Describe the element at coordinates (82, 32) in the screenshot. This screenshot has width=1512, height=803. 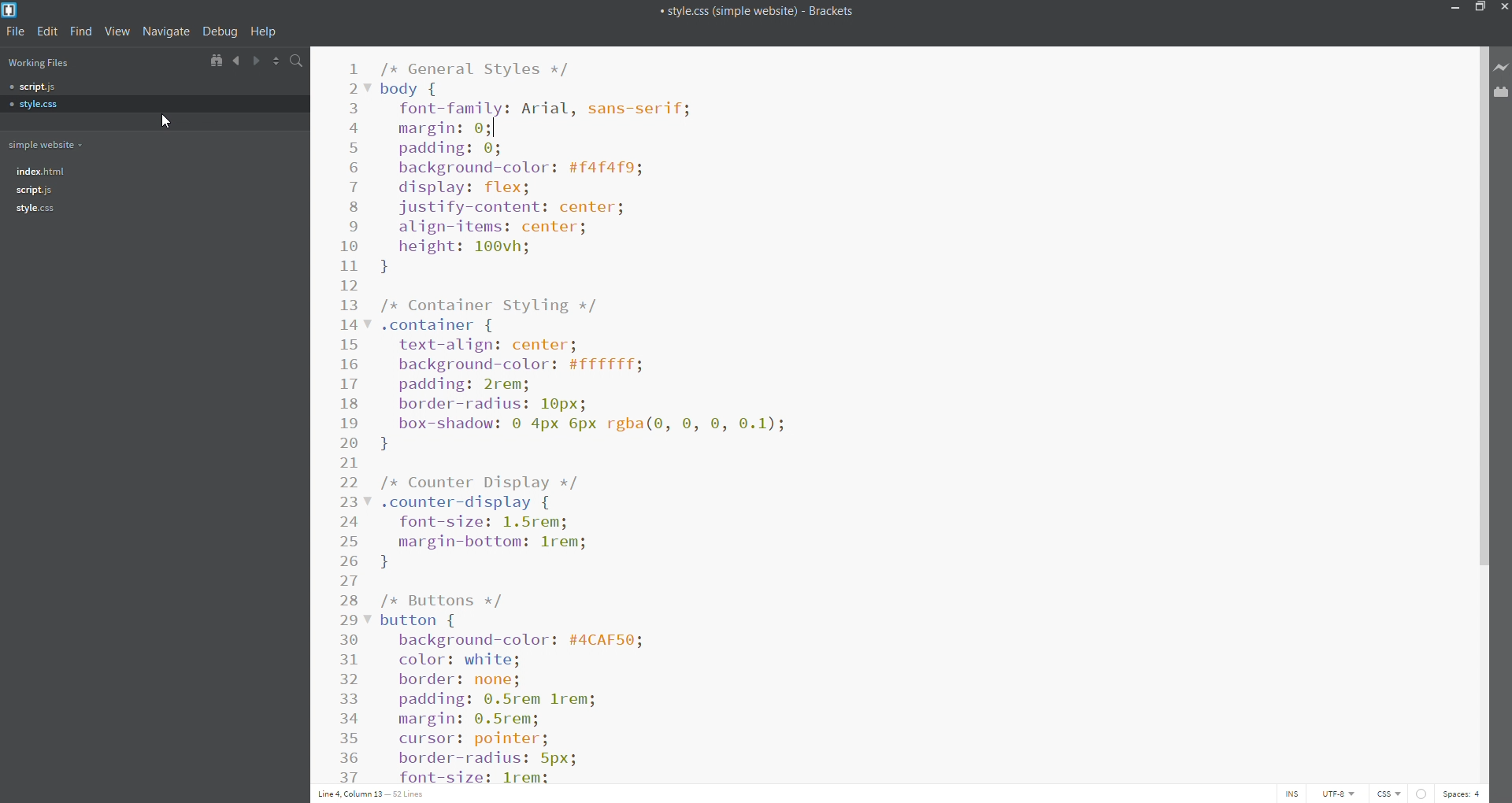
I see `find` at that location.